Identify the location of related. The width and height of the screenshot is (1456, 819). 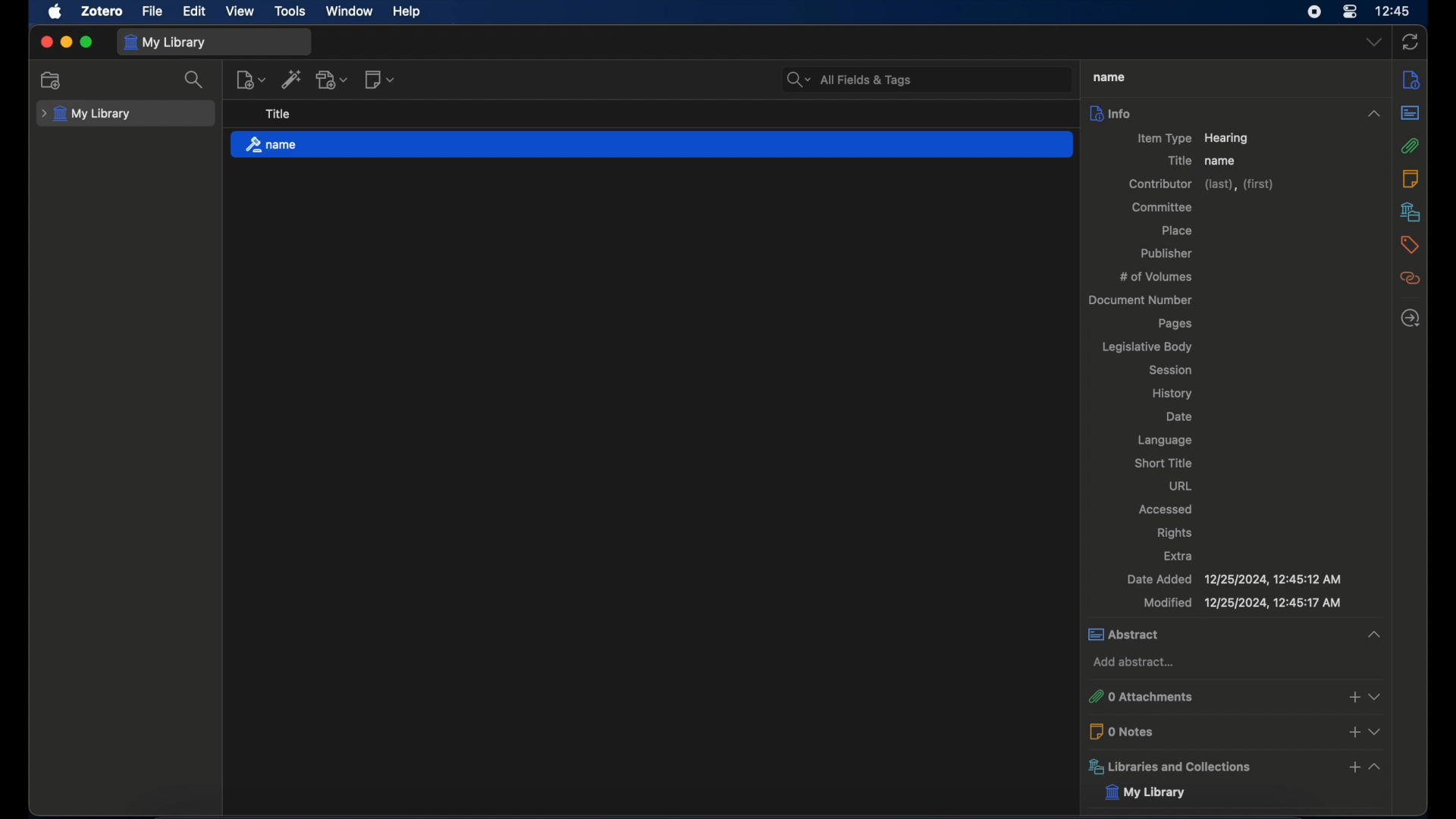
(1410, 278).